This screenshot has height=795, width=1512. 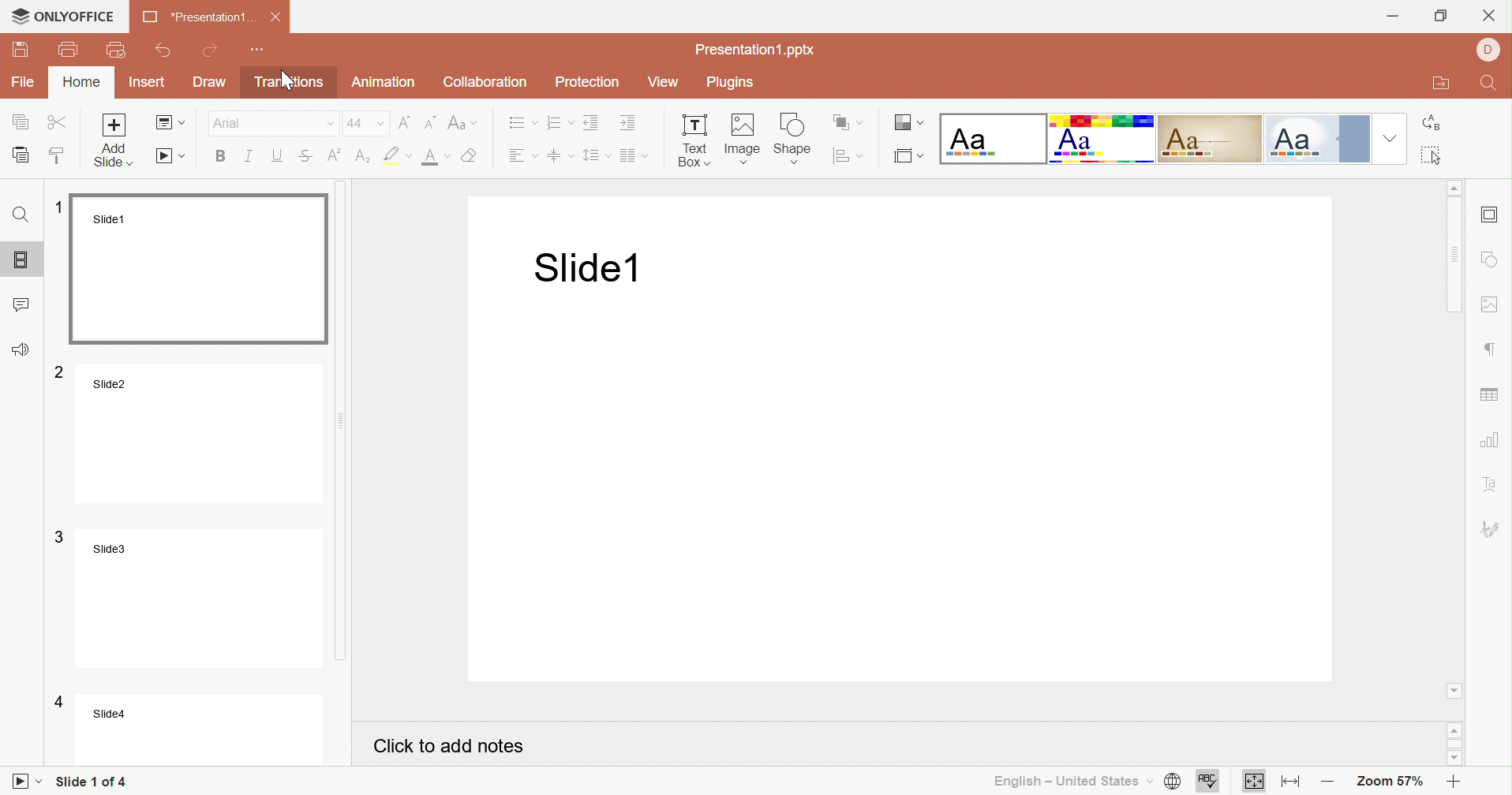 I want to click on Presentation slide, so click(x=908, y=441).